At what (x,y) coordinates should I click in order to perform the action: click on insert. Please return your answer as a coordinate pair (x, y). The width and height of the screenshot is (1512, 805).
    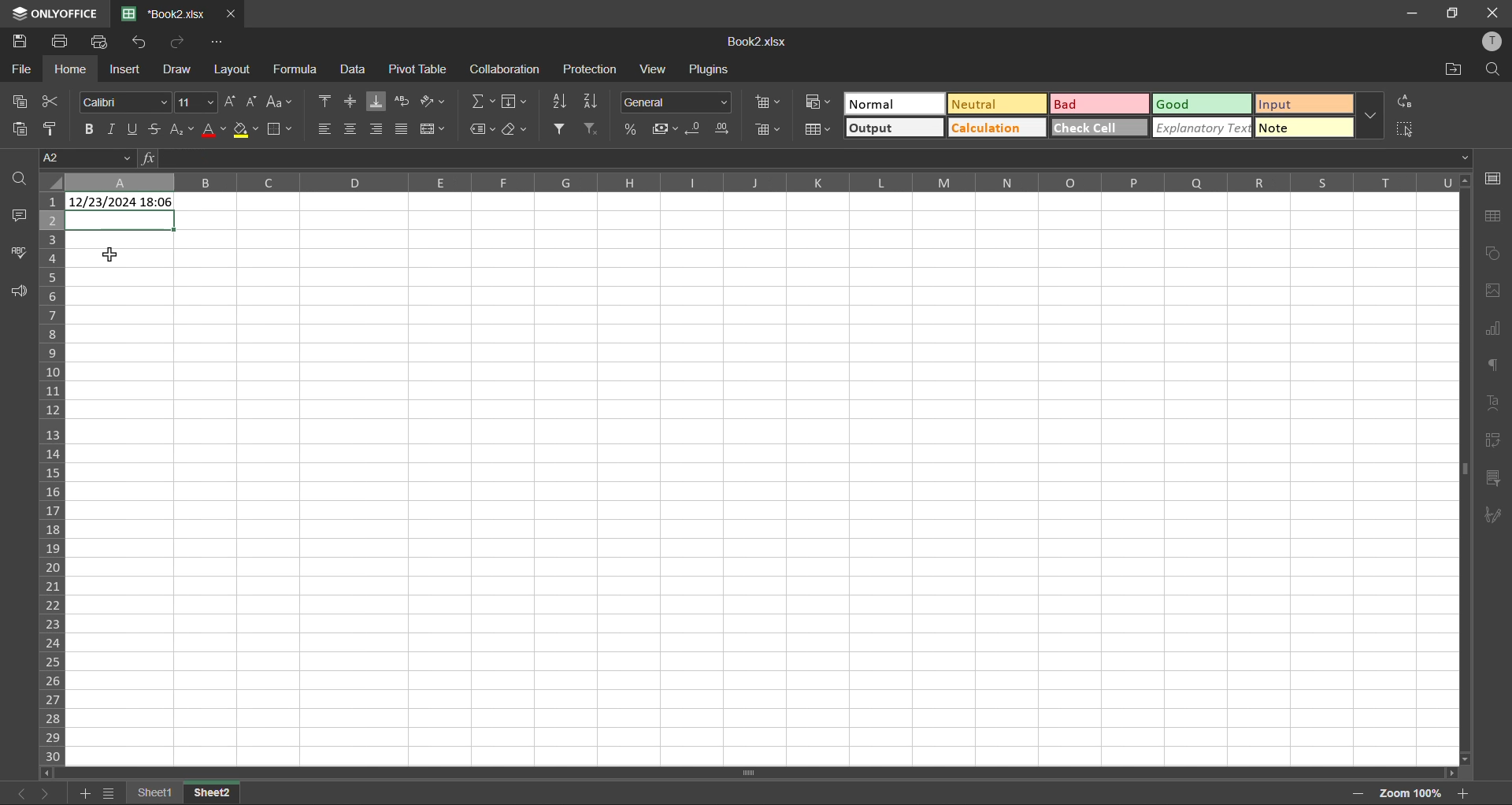
    Looking at the image, I should click on (123, 69).